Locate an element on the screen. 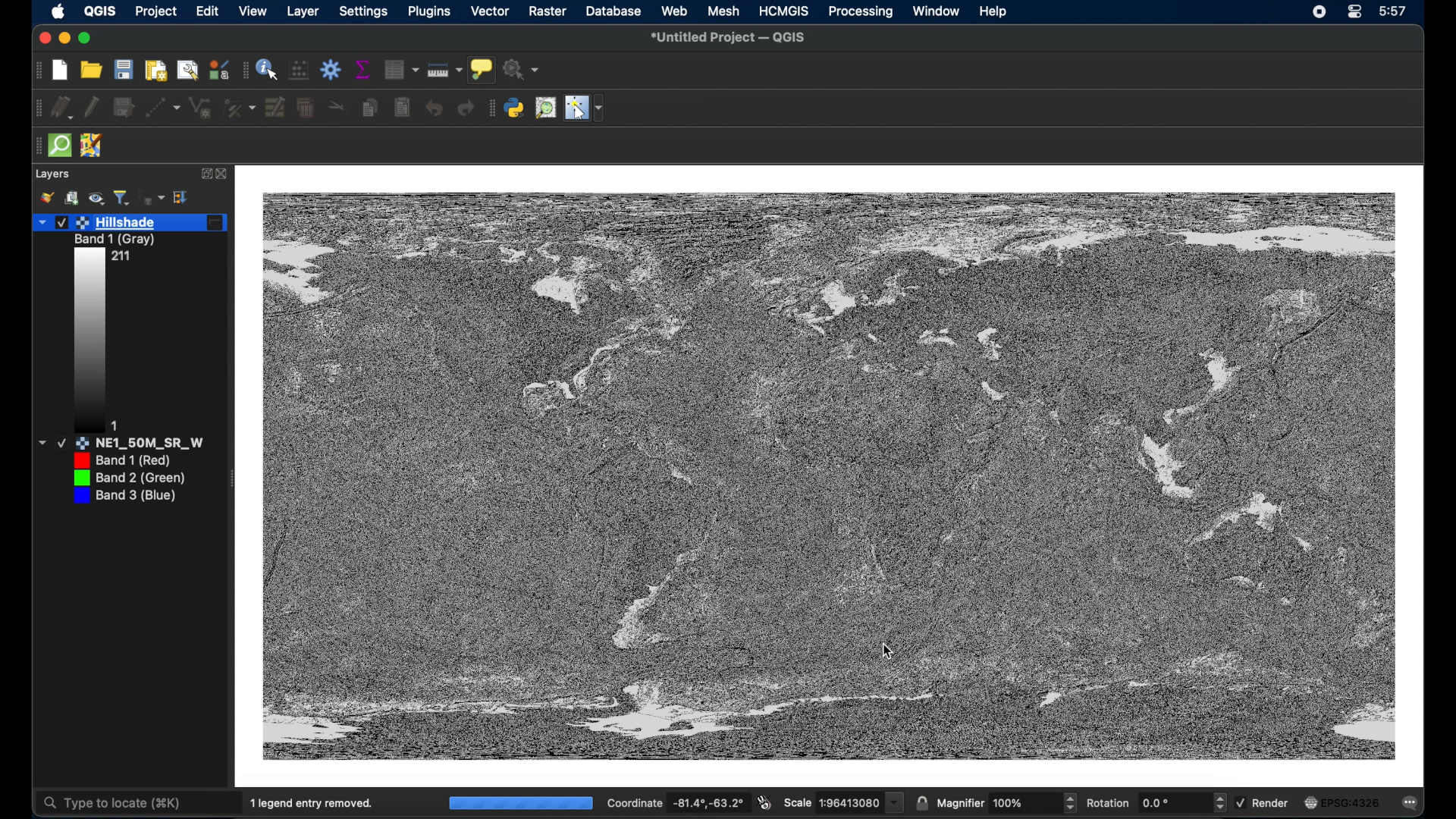  redo is located at coordinates (465, 108).